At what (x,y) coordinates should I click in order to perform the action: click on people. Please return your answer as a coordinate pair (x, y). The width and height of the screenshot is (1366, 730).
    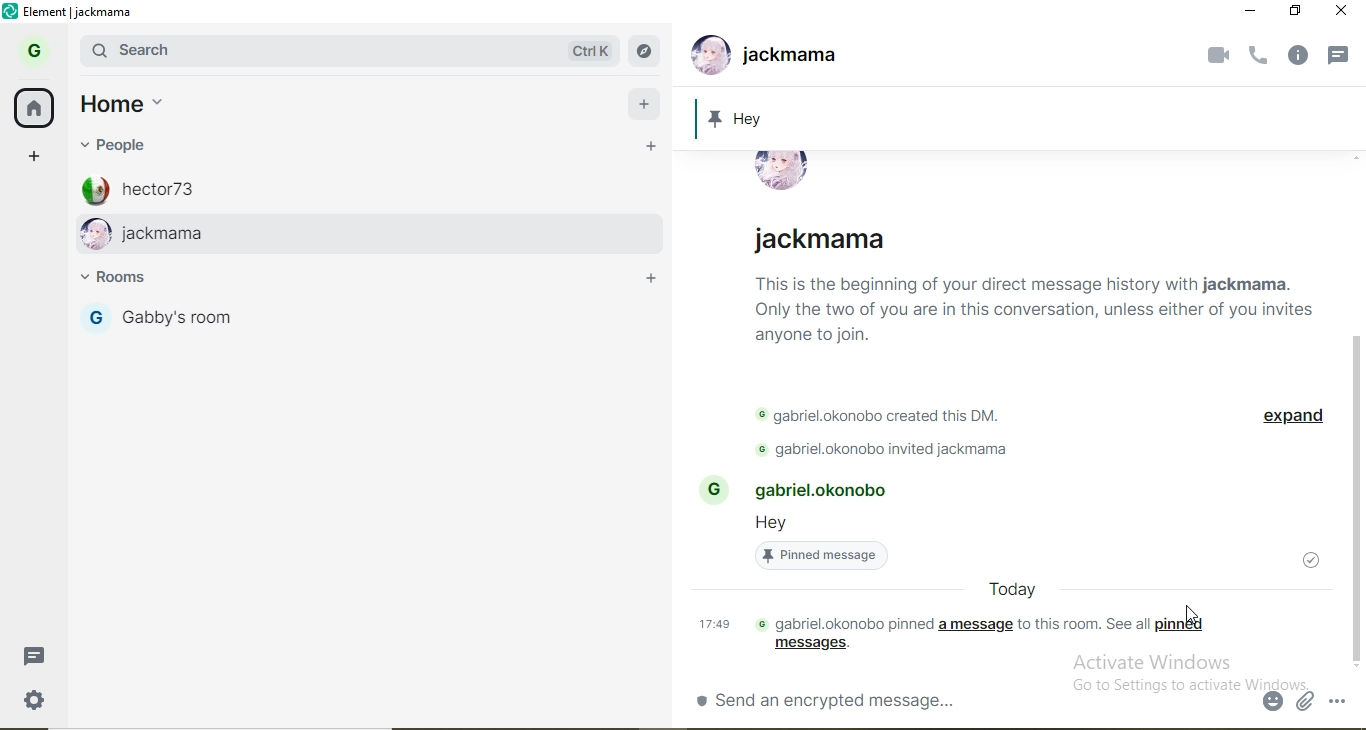
    Looking at the image, I should click on (118, 144).